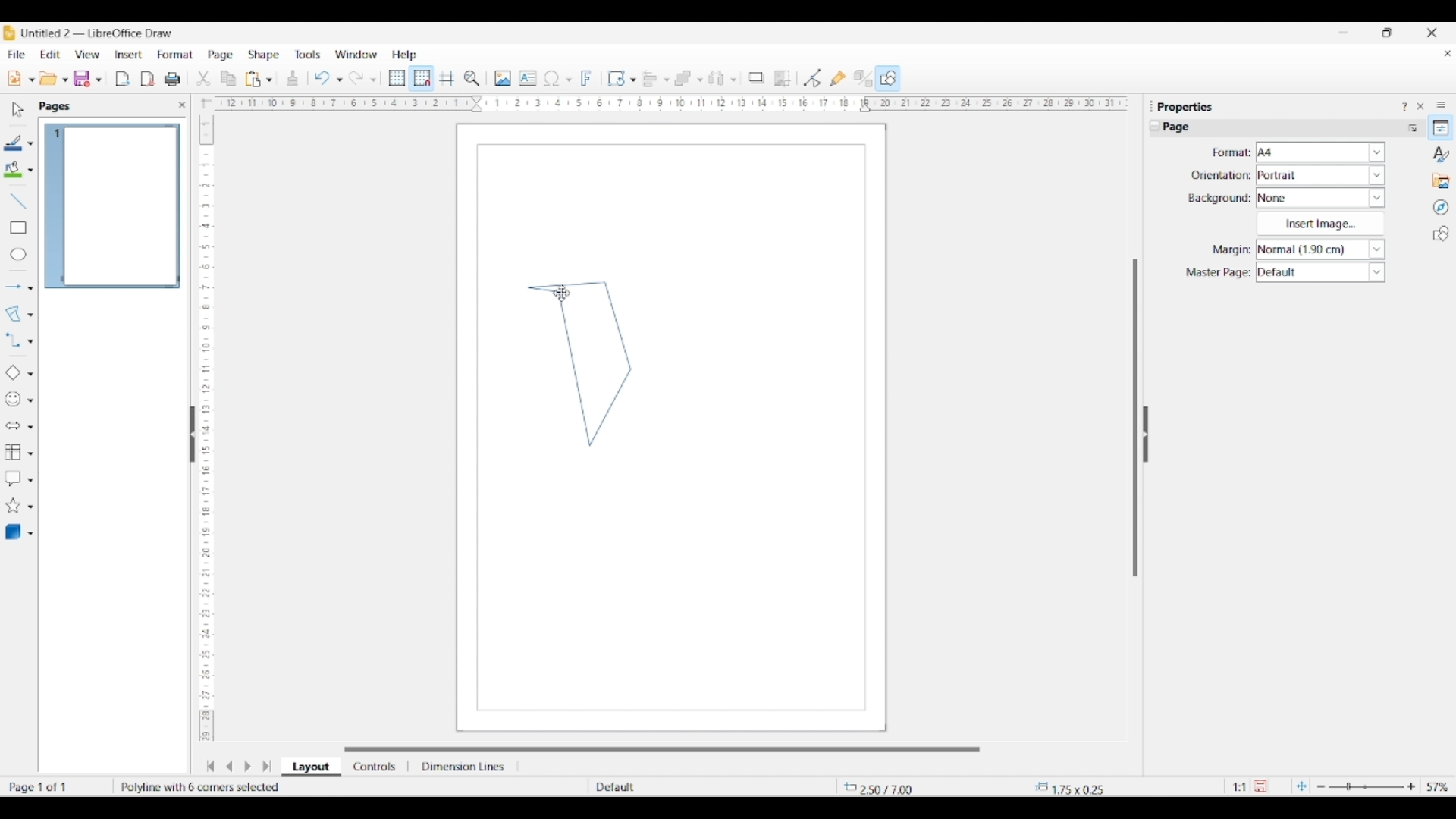 Image resolution: width=1456 pixels, height=819 pixels. Describe the element at coordinates (574, 369) in the screenshot. I see `Line 1` at that location.